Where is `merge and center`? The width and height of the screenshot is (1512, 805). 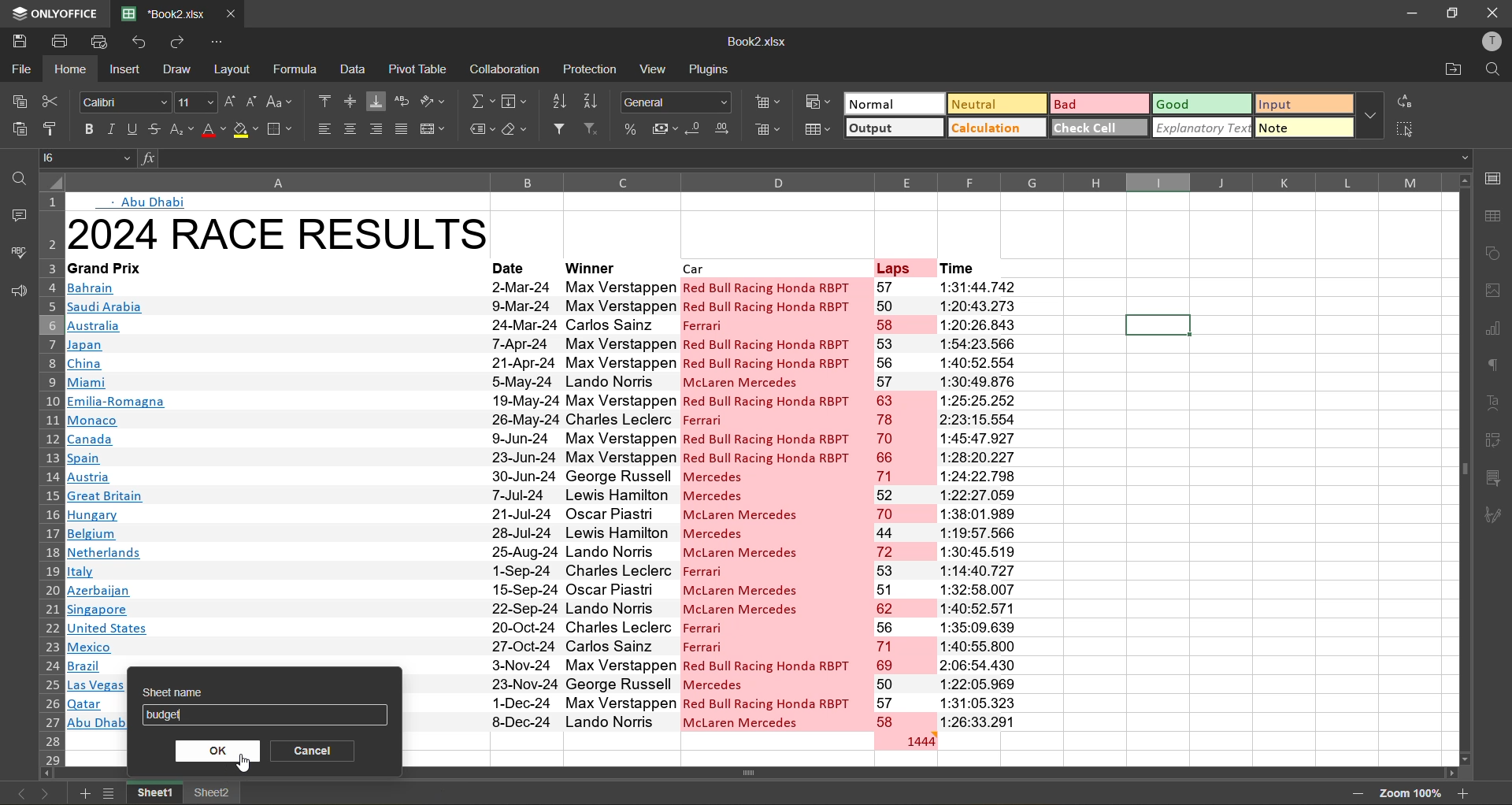
merge and center is located at coordinates (434, 130).